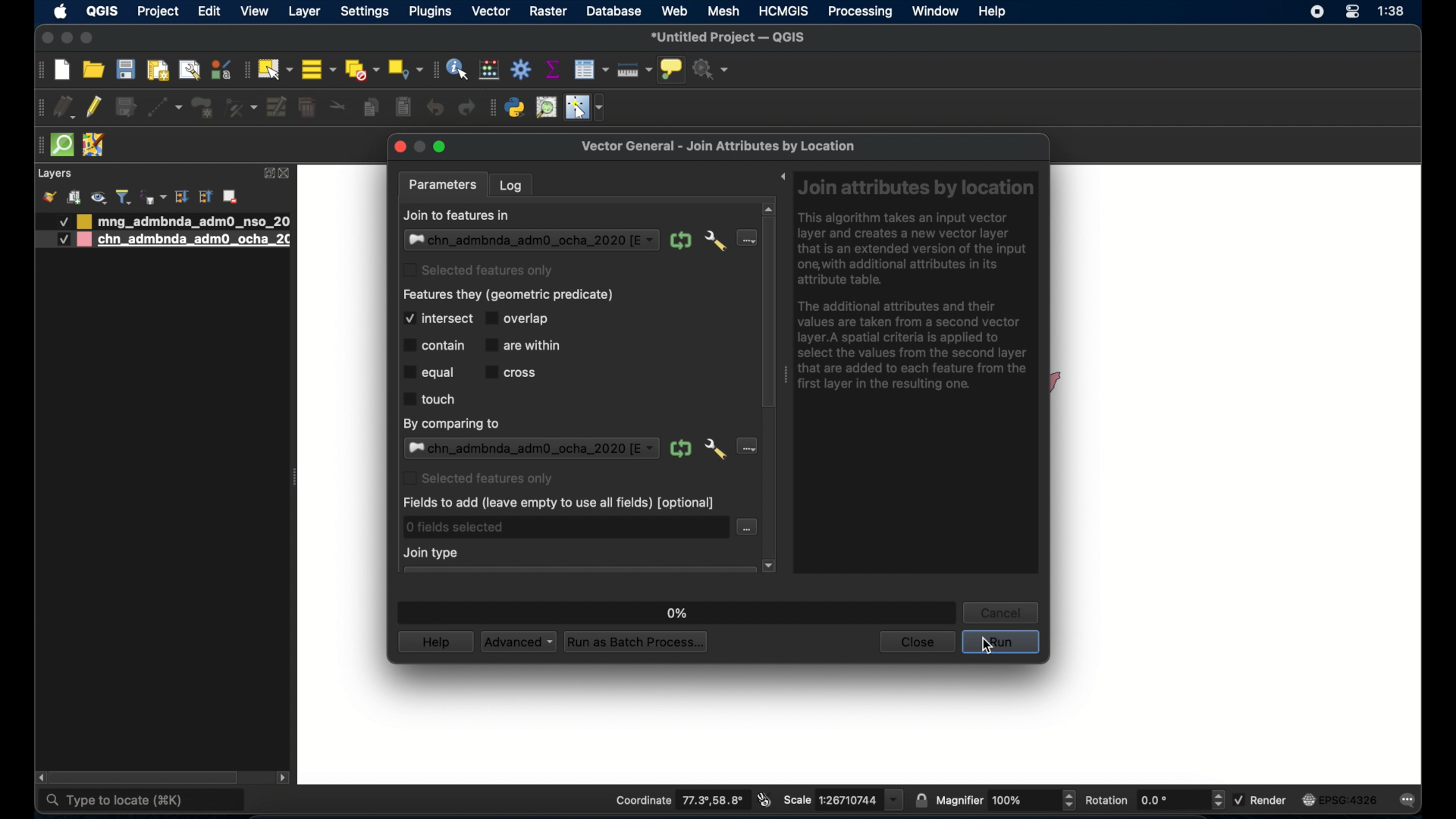  I want to click on vector, so click(494, 12).